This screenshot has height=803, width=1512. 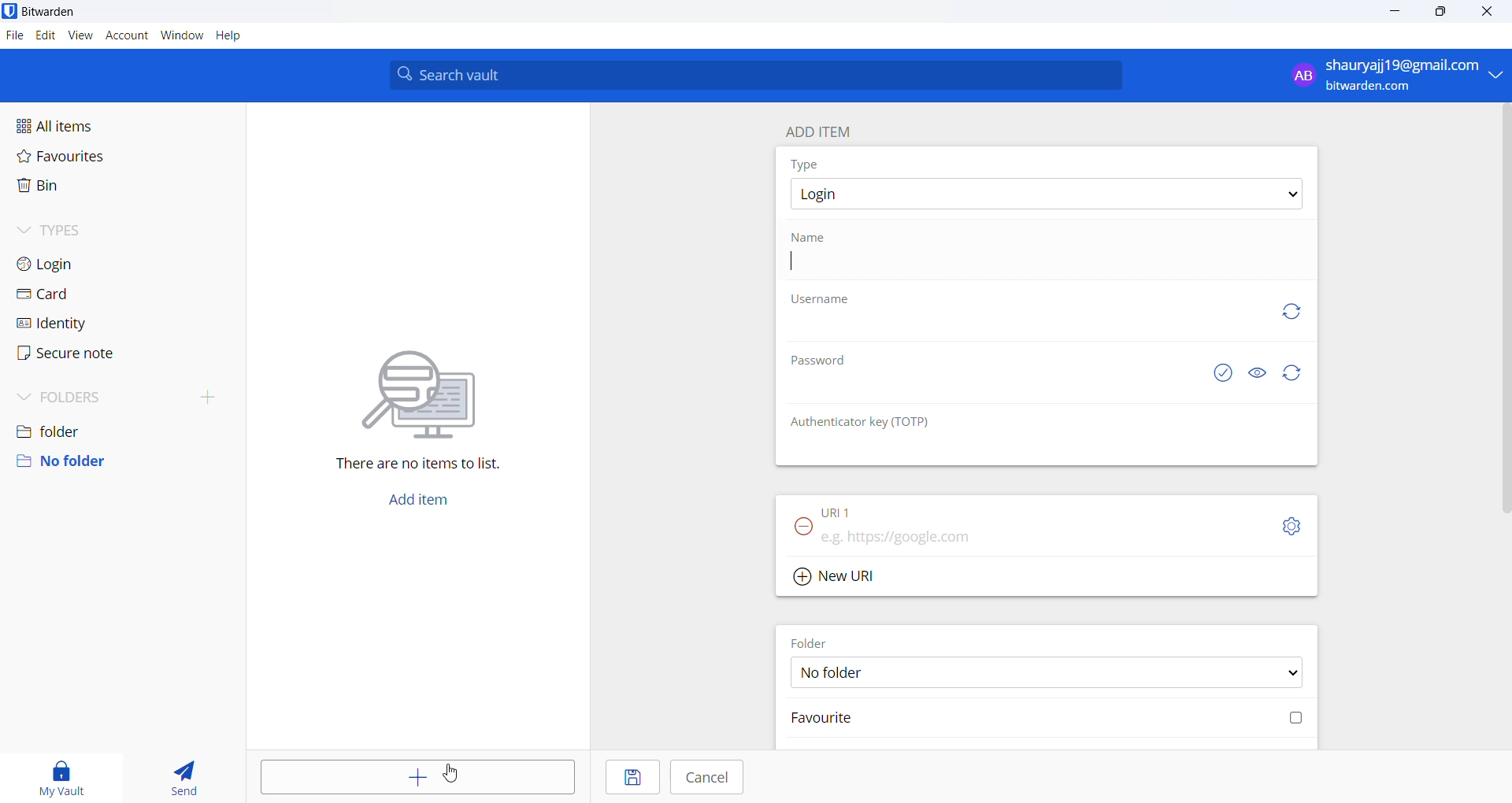 What do you see at coordinates (1503, 308) in the screenshot?
I see `vertical scrollbar` at bounding box center [1503, 308].